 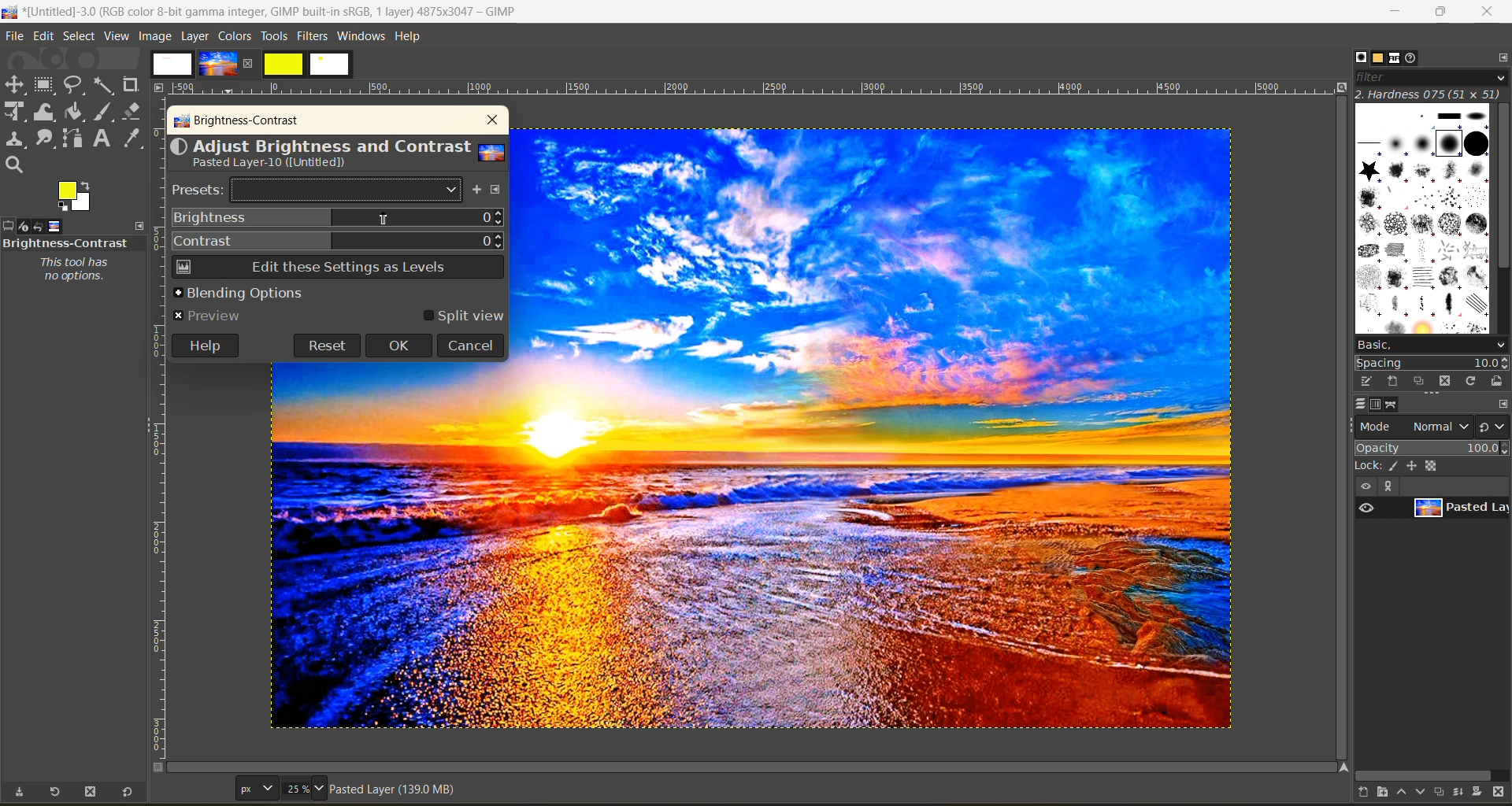 What do you see at coordinates (314, 35) in the screenshot?
I see `filters` at bounding box center [314, 35].